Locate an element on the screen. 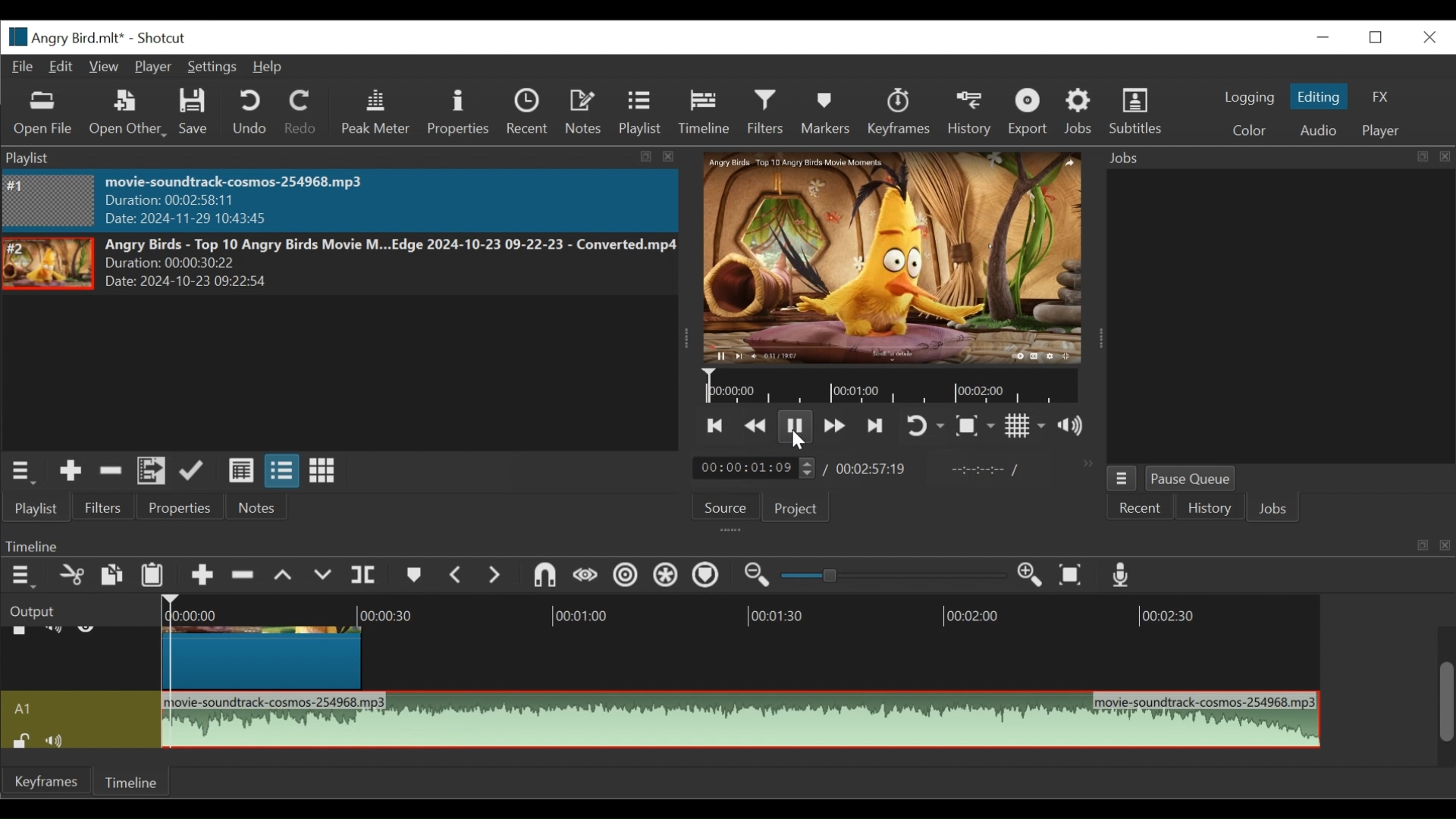 This screenshot has height=819, width=1456. Filters is located at coordinates (767, 114).